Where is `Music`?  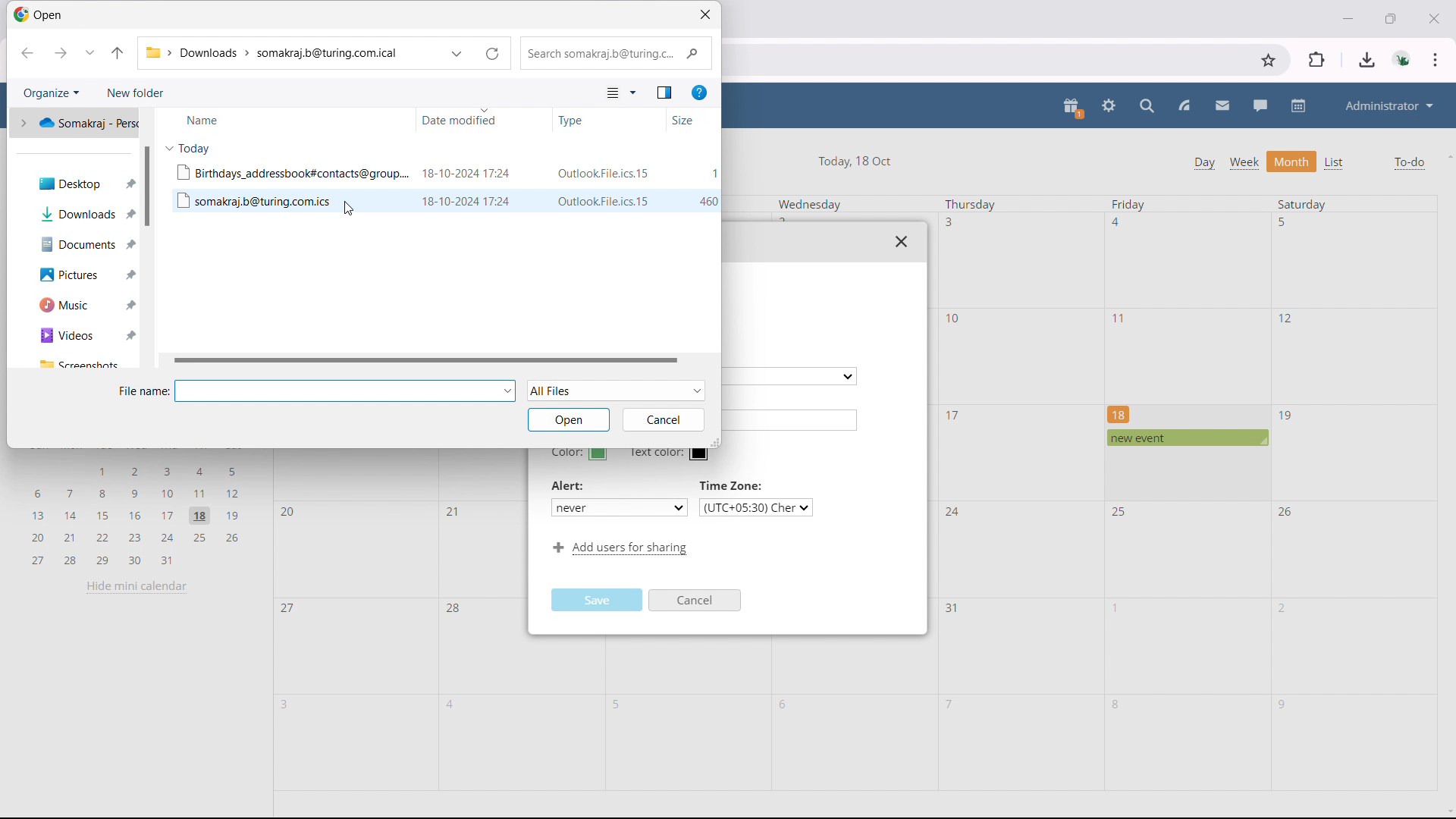 Music is located at coordinates (75, 305).